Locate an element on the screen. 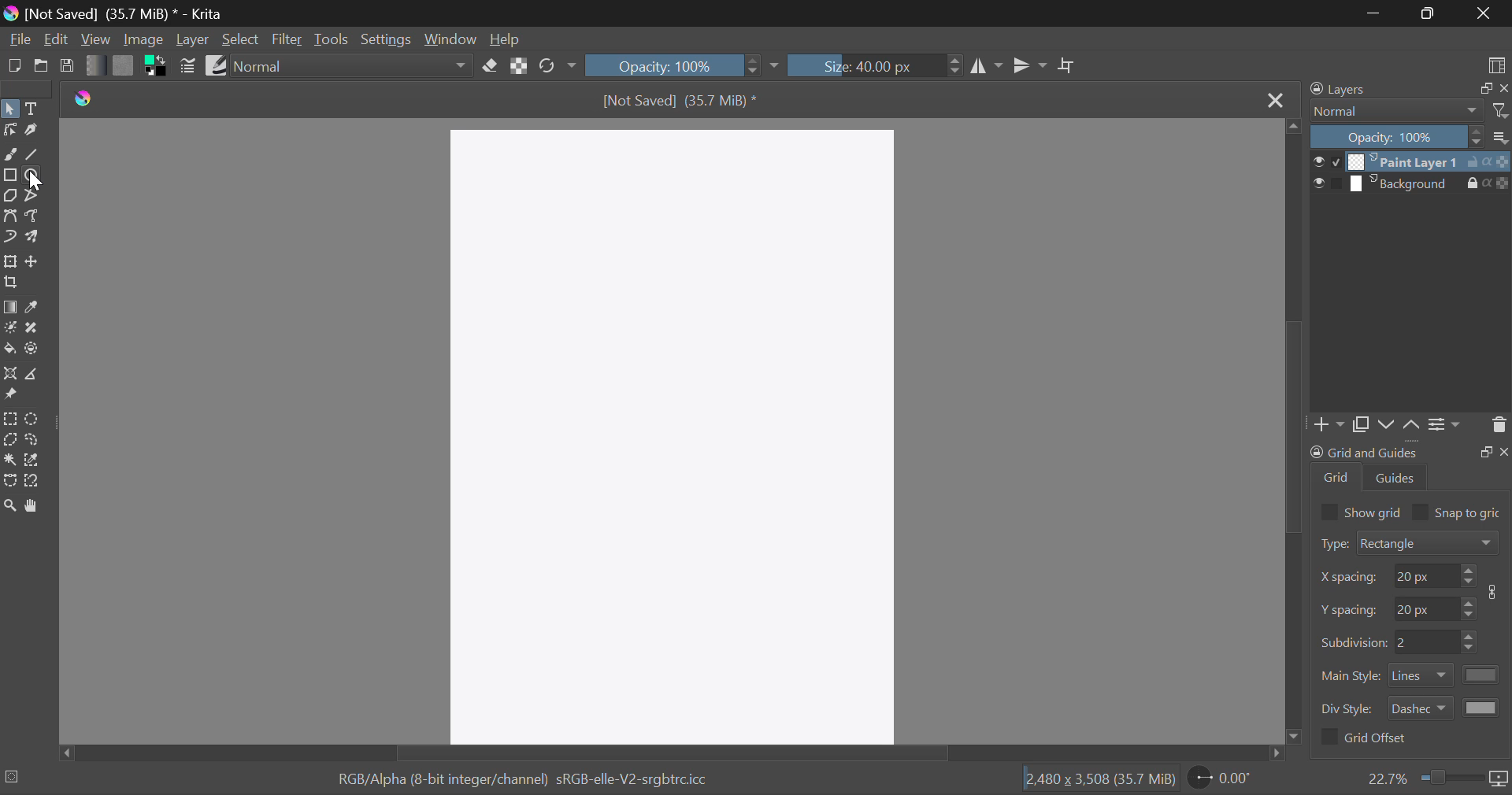 This screenshot has height=795, width=1512. move up is located at coordinates (1290, 130).